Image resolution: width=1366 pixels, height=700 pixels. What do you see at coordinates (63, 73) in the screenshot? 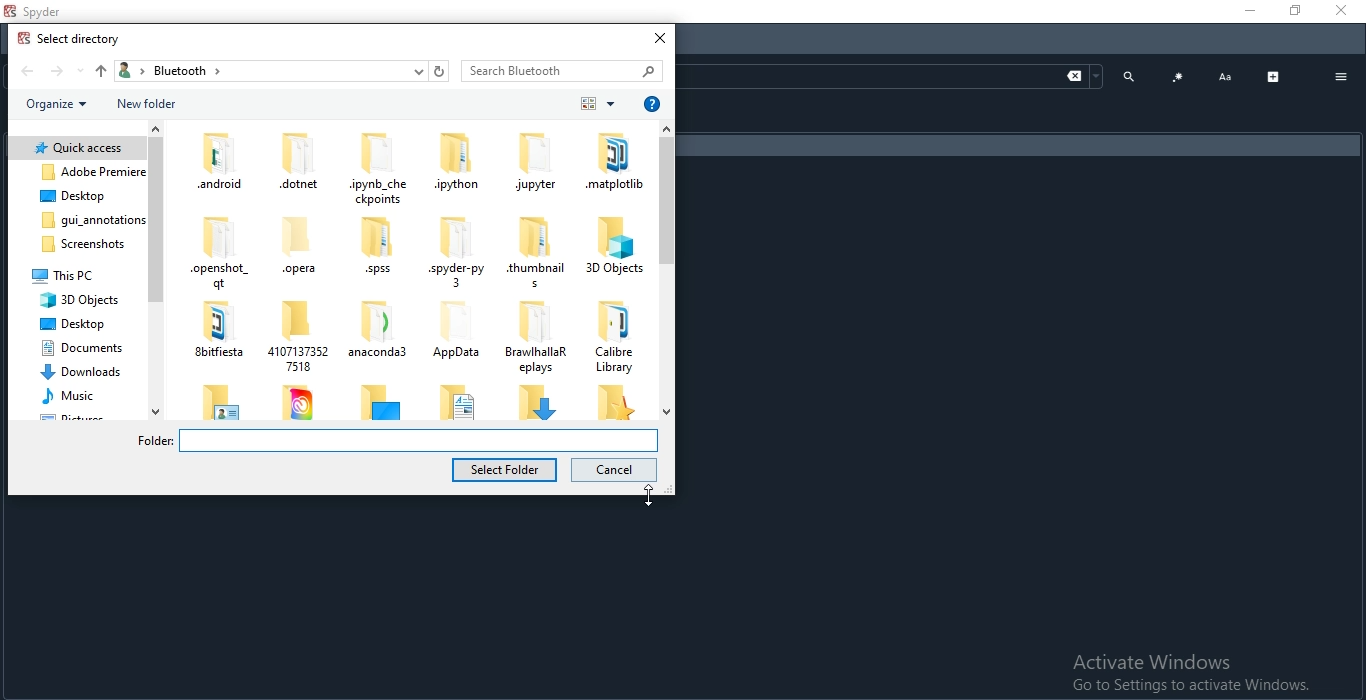
I see `forward` at bounding box center [63, 73].